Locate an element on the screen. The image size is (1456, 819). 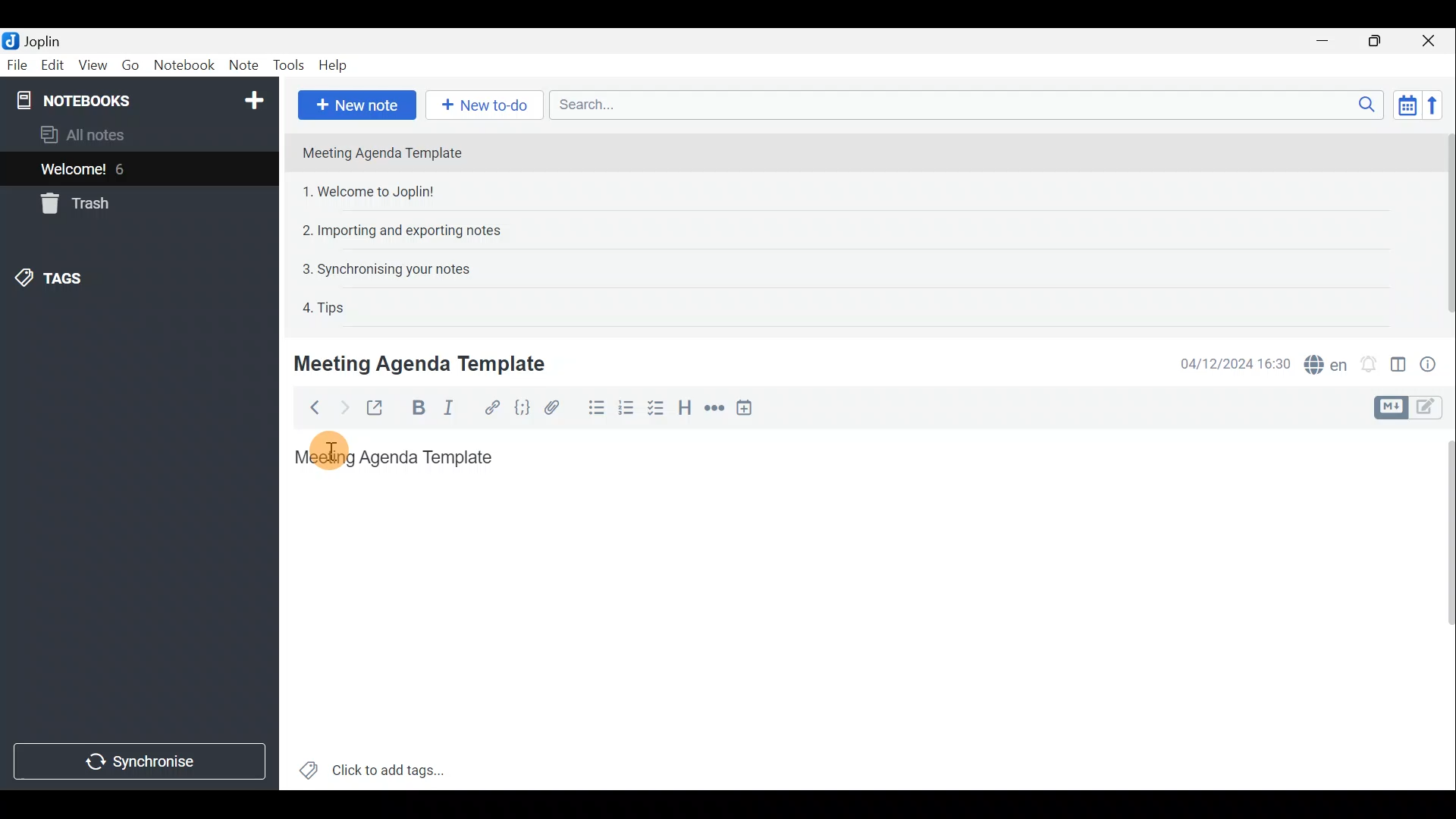
Horizontal rule is located at coordinates (717, 410).